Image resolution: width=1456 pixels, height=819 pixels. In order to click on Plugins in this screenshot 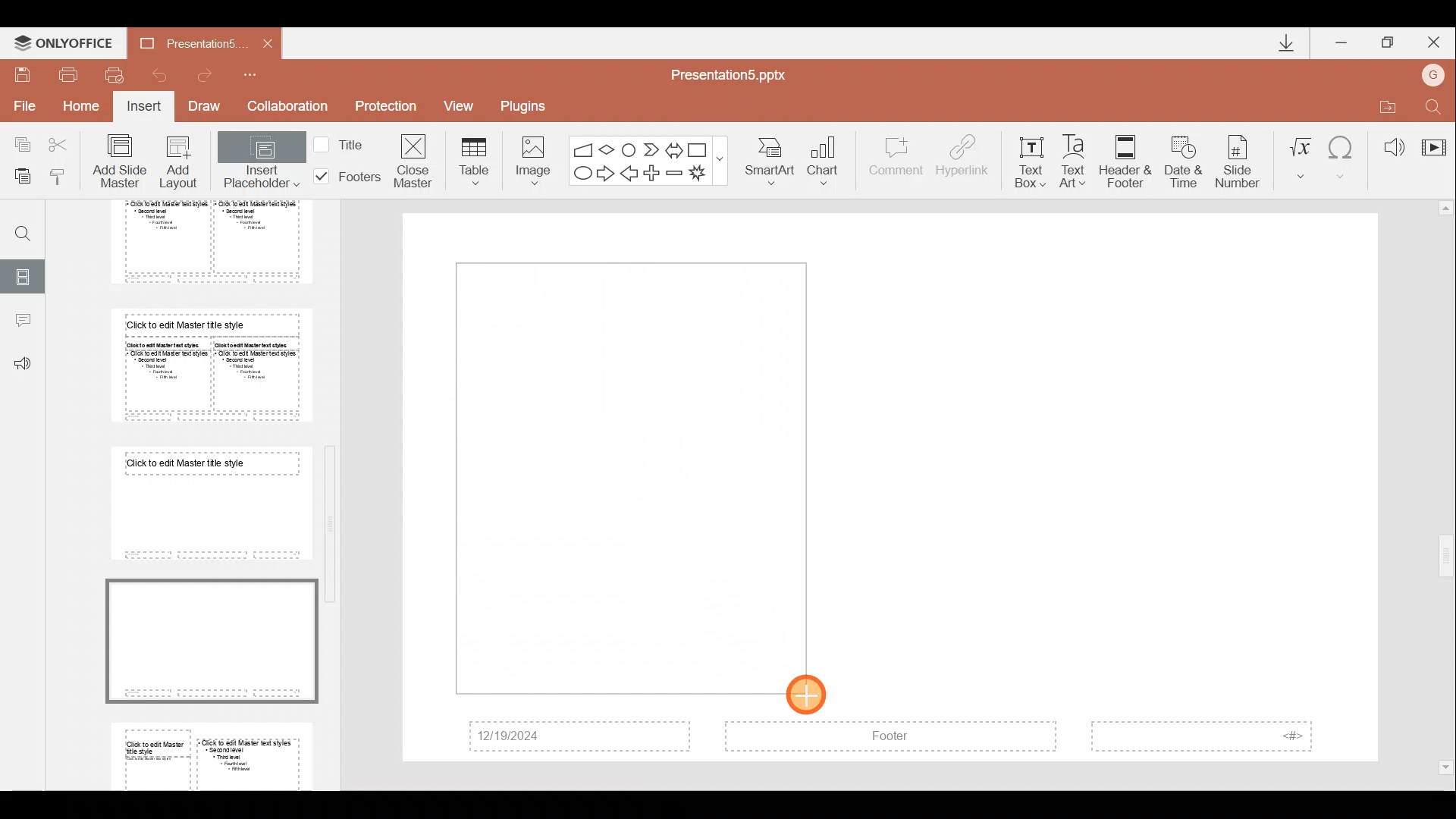, I will do `click(529, 104)`.